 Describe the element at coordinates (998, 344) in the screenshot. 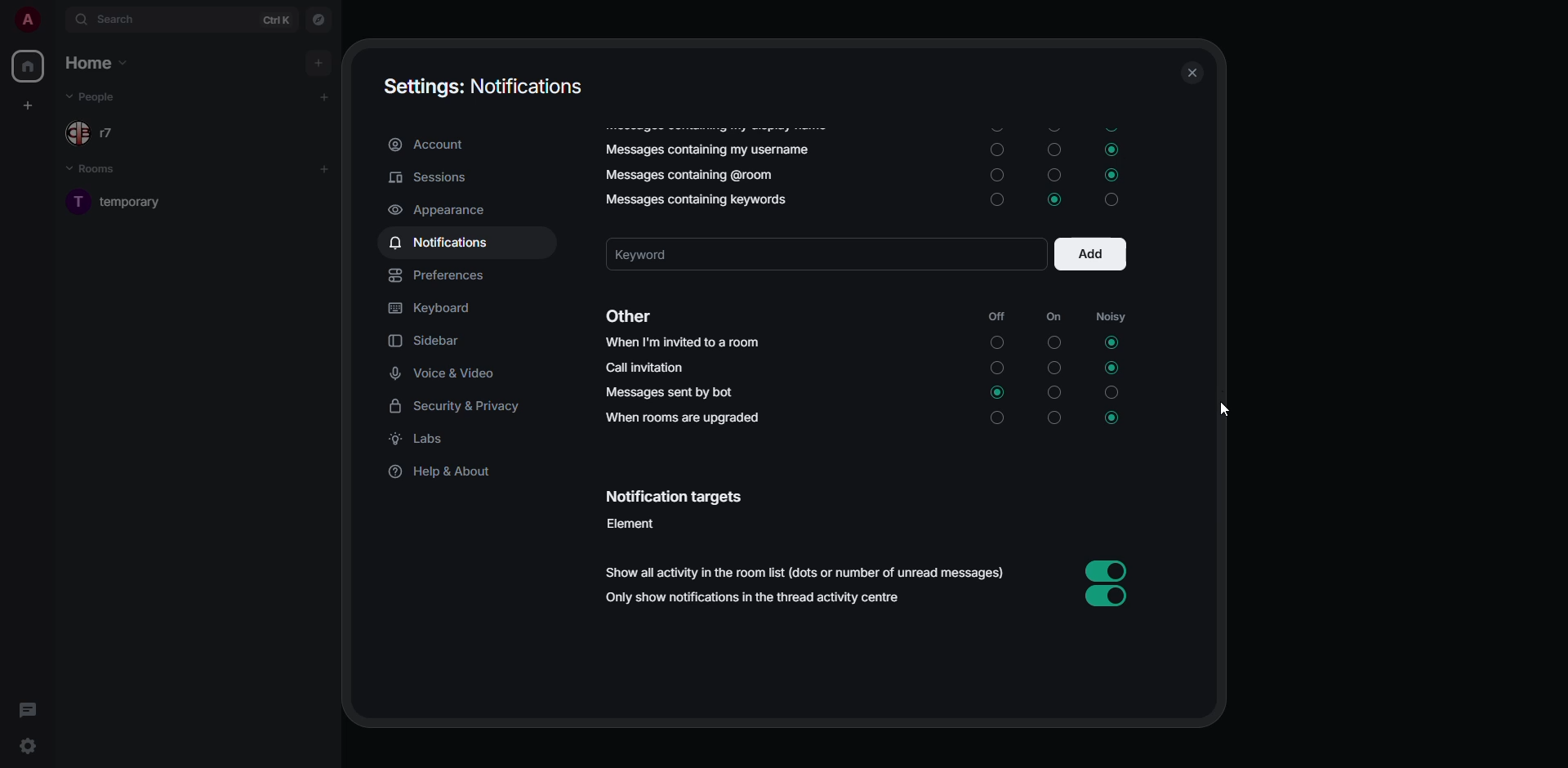

I see `on` at that location.